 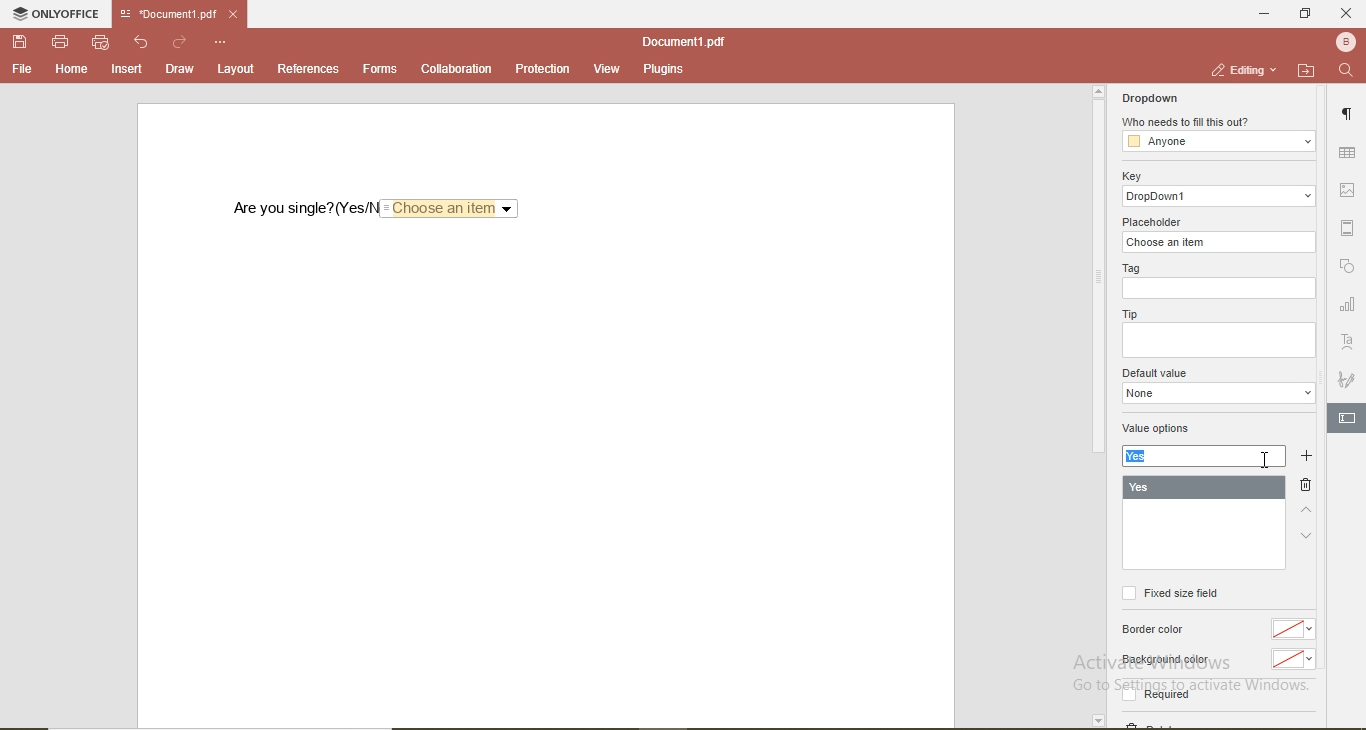 What do you see at coordinates (73, 70) in the screenshot?
I see `home` at bounding box center [73, 70].